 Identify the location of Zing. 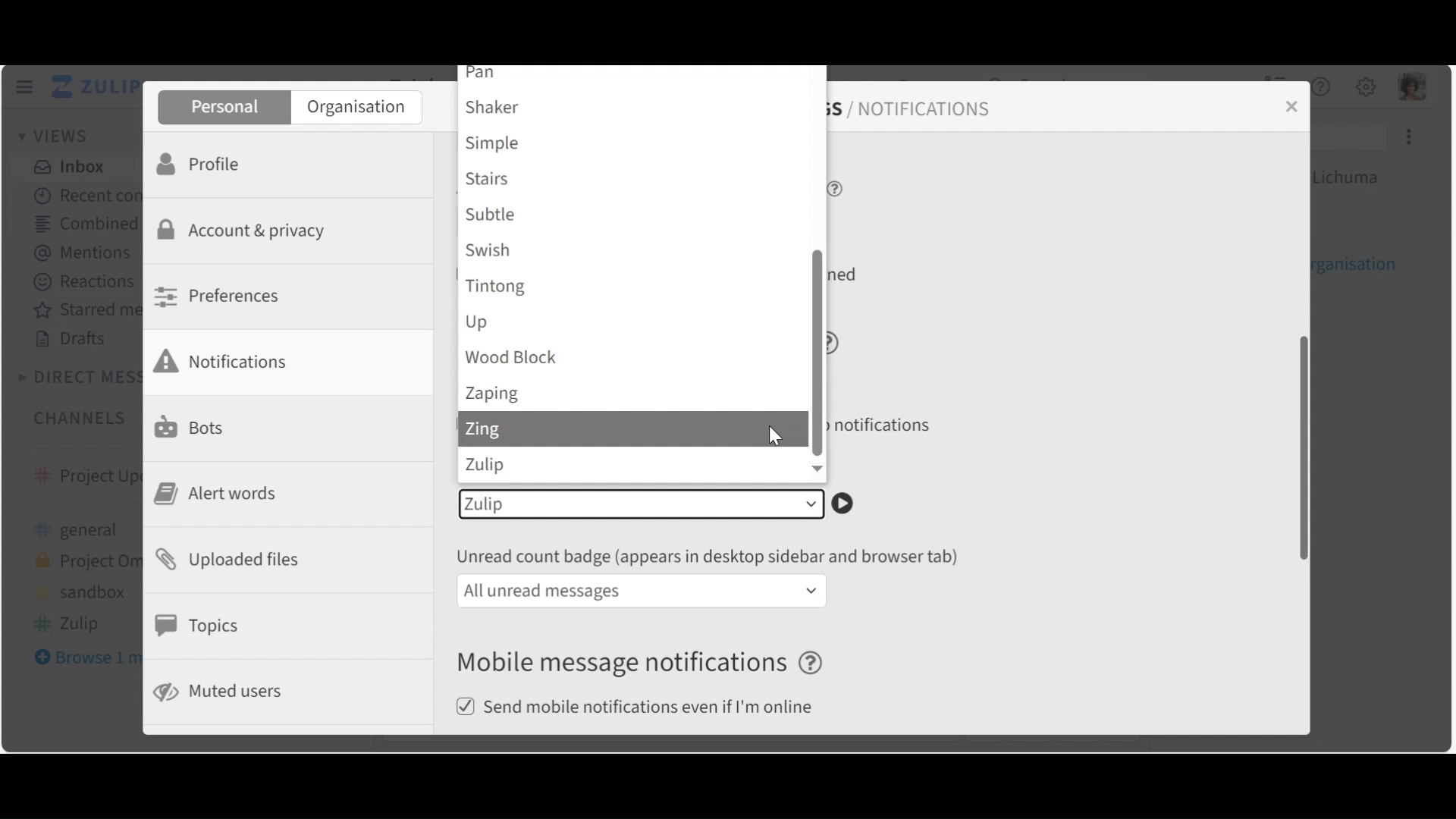
(607, 431).